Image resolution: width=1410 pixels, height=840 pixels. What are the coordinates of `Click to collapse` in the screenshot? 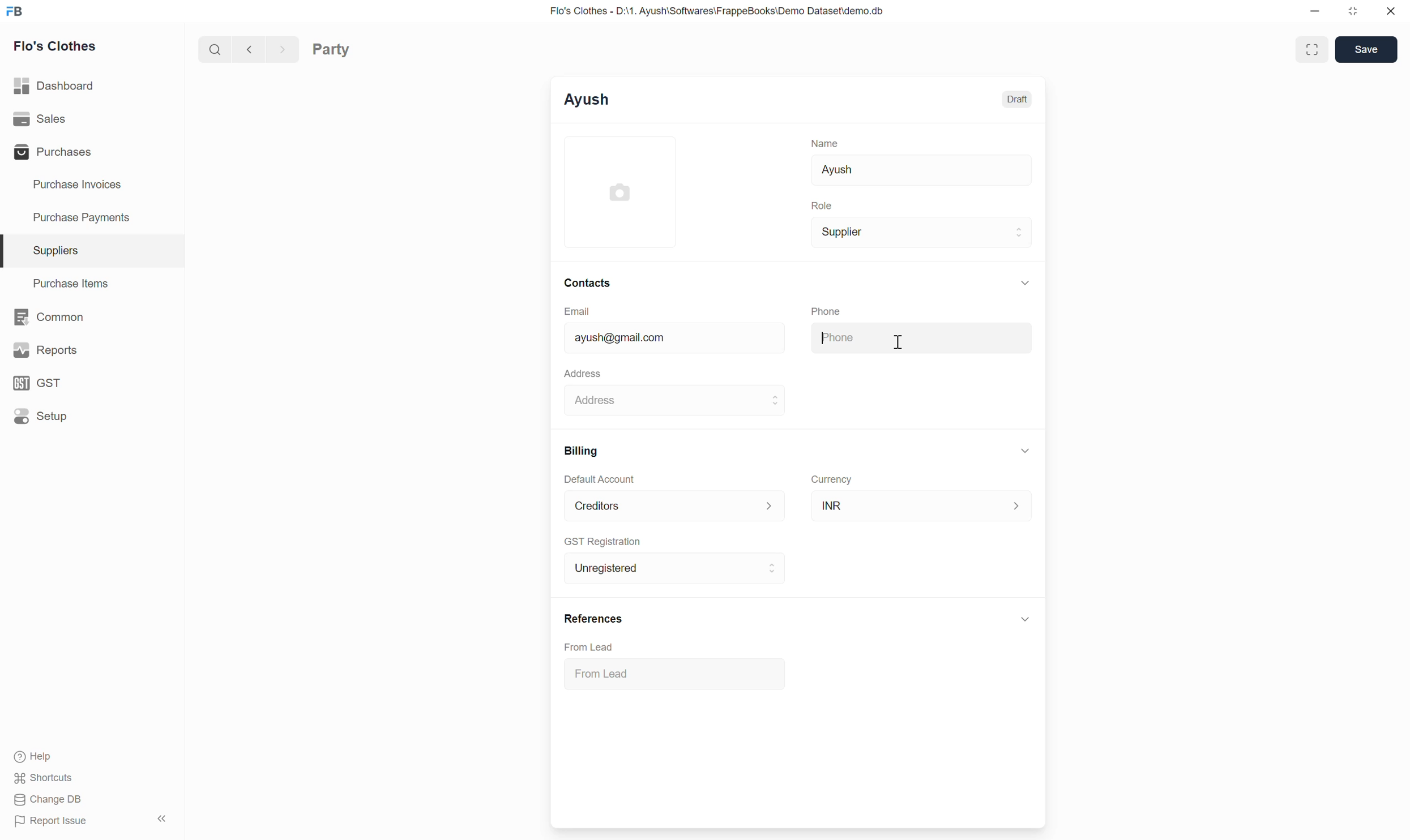 It's located at (1026, 619).